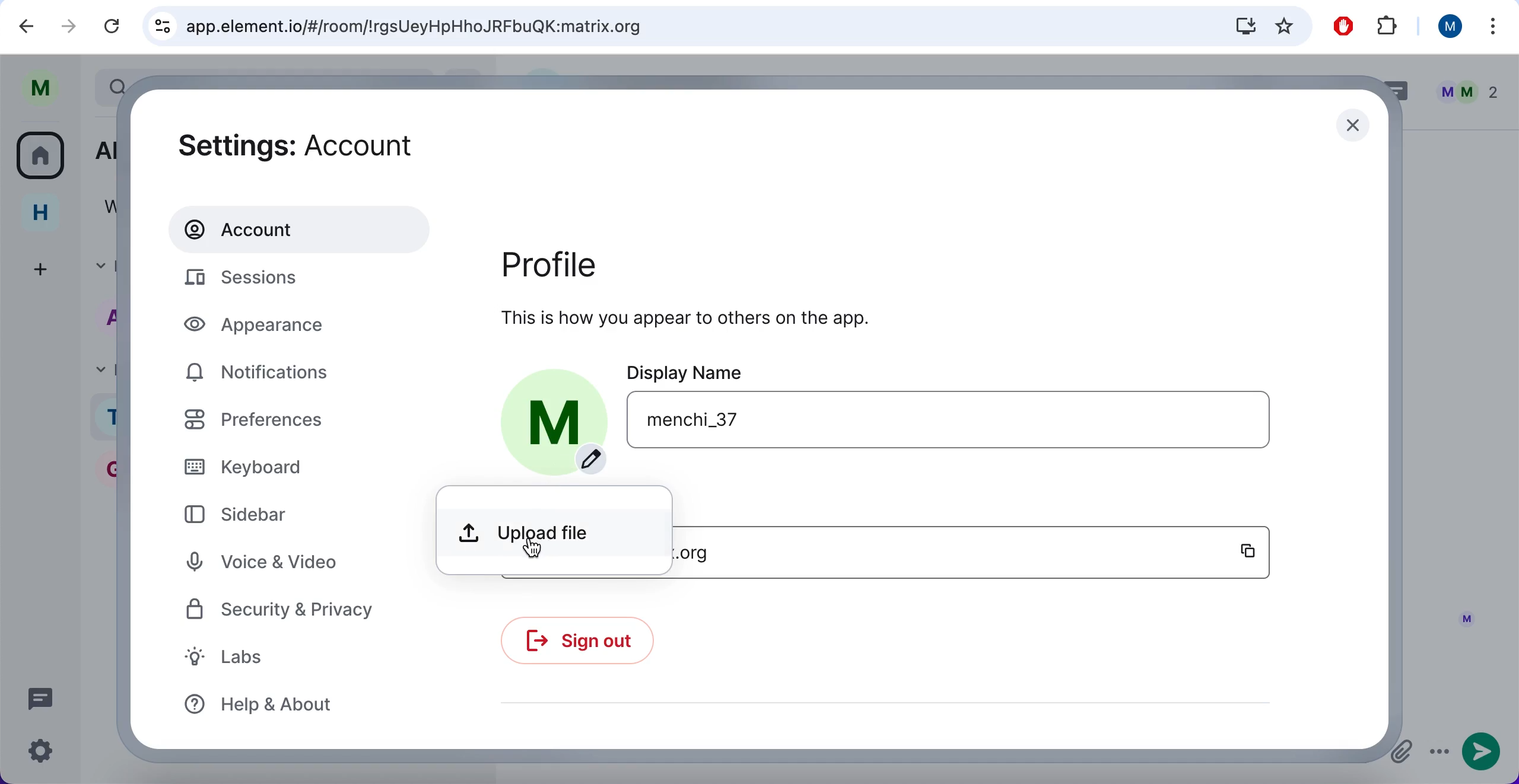 The height and width of the screenshot is (784, 1519). What do you see at coordinates (896, 552) in the screenshot?
I see `username` at bounding box center [896, 552].